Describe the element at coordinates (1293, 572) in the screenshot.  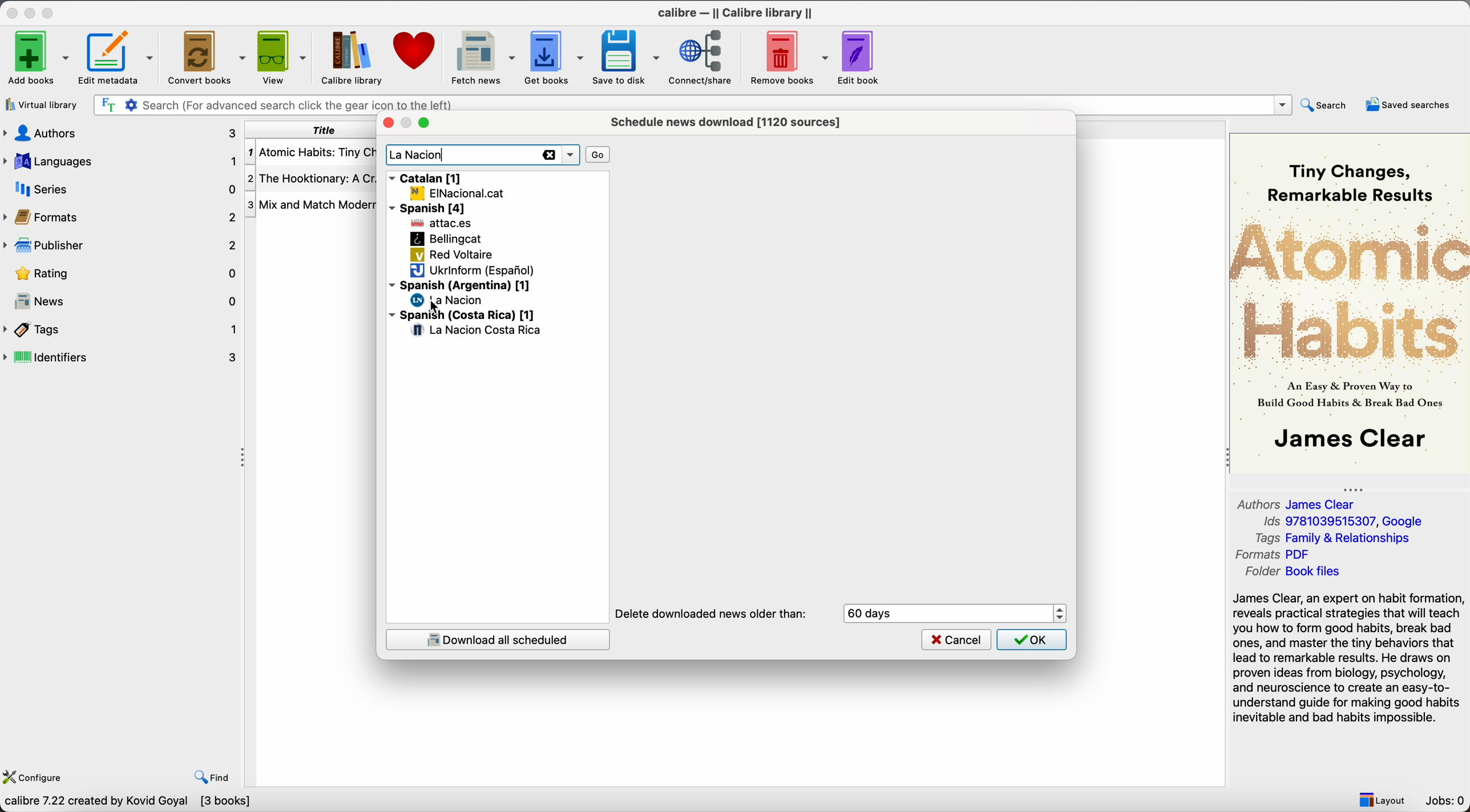
I see `Folder Book files` at that location.